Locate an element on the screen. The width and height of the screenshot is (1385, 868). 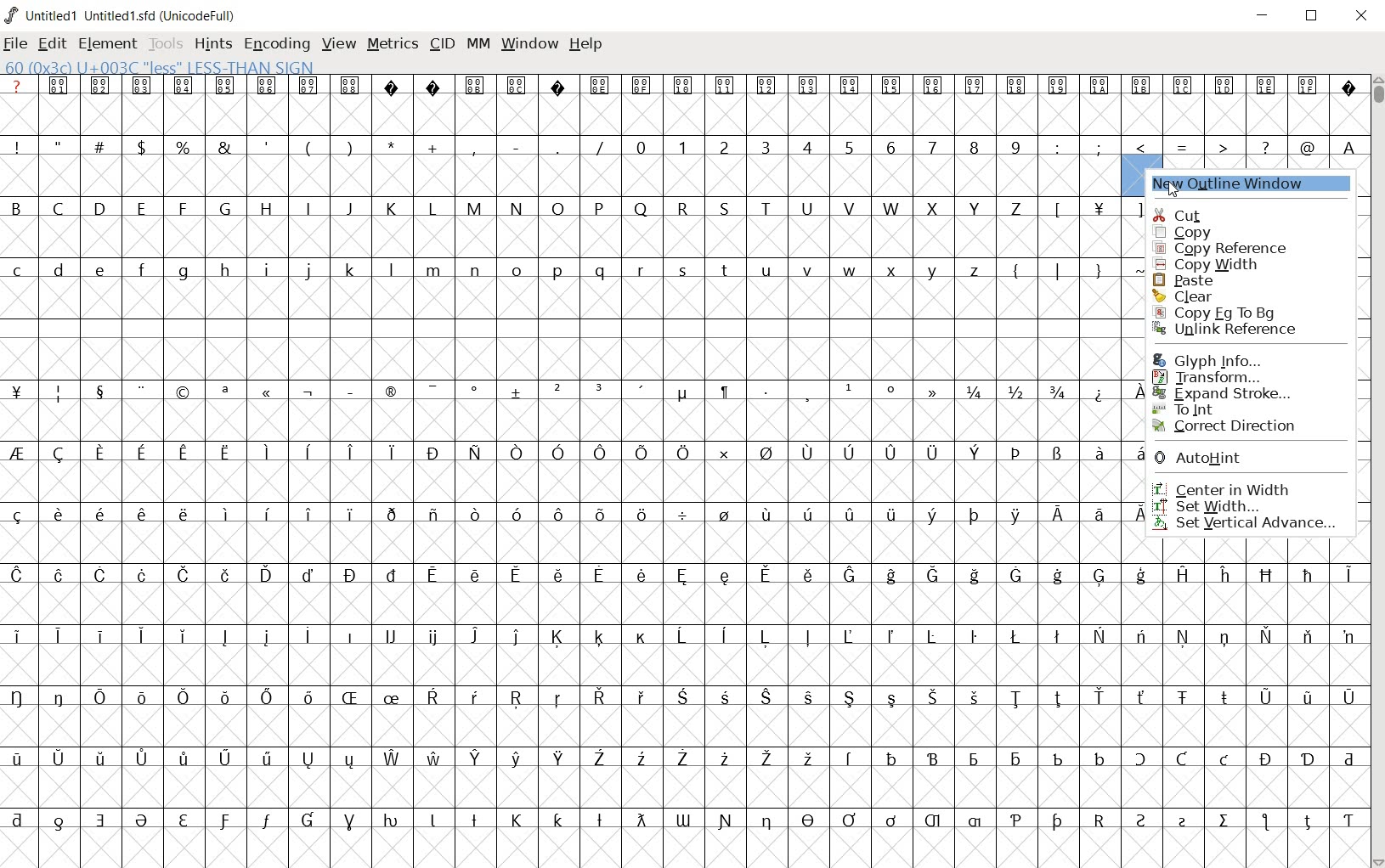
correct direction is located at coordinates (1230, 426).